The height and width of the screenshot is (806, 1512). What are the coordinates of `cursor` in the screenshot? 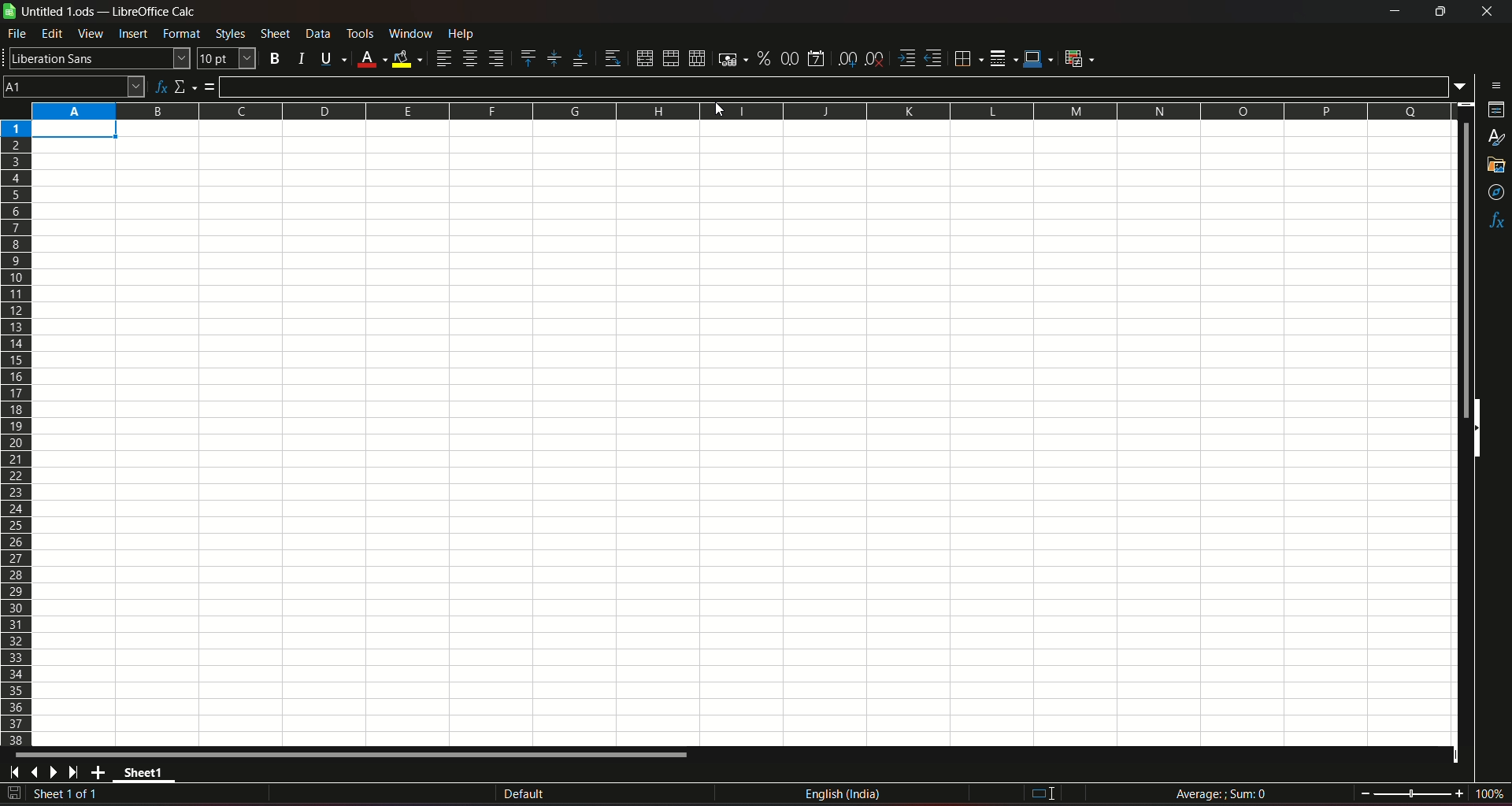 It's located at (717, 114).